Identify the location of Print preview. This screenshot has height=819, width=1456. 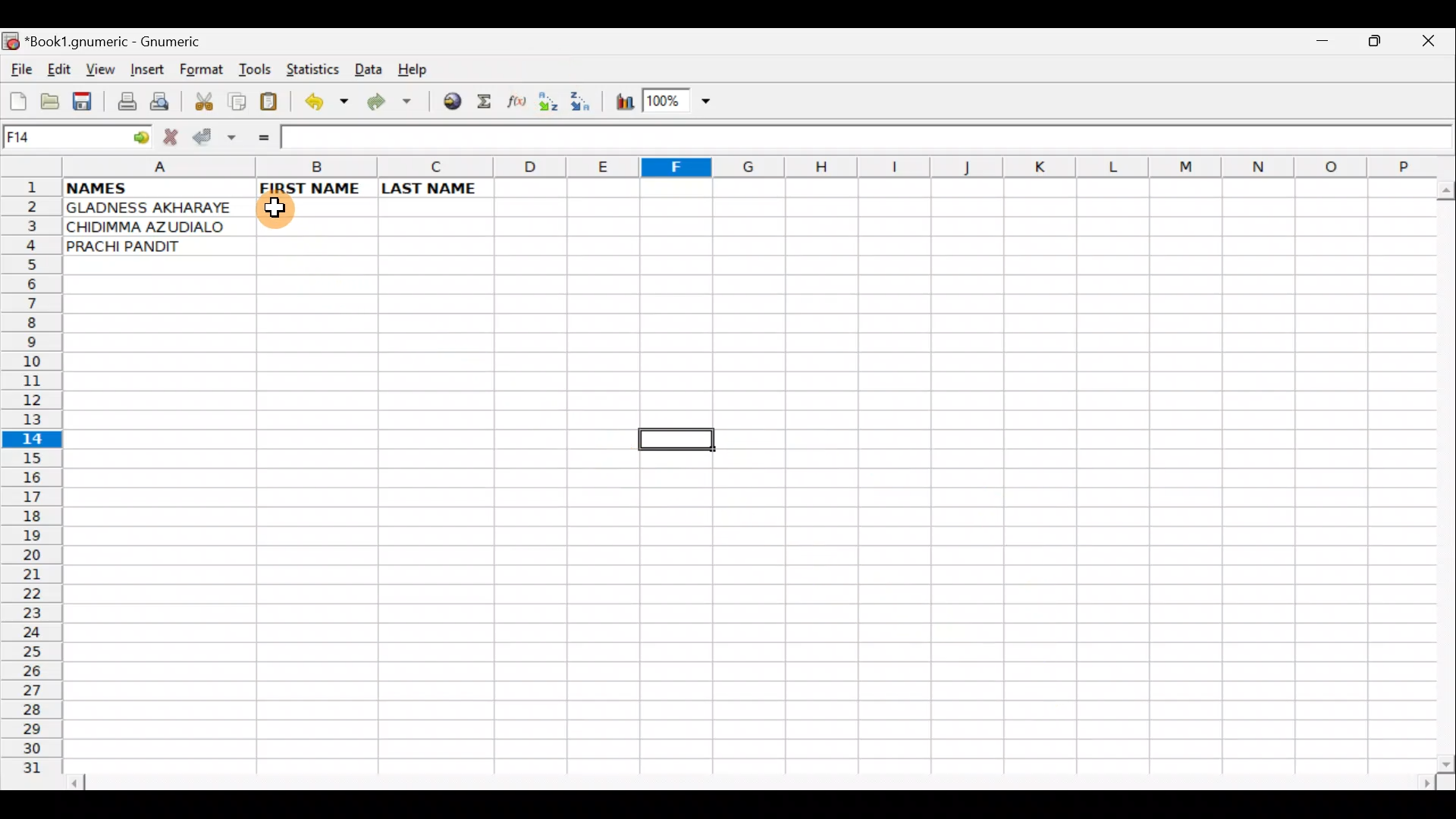
(159, 103).